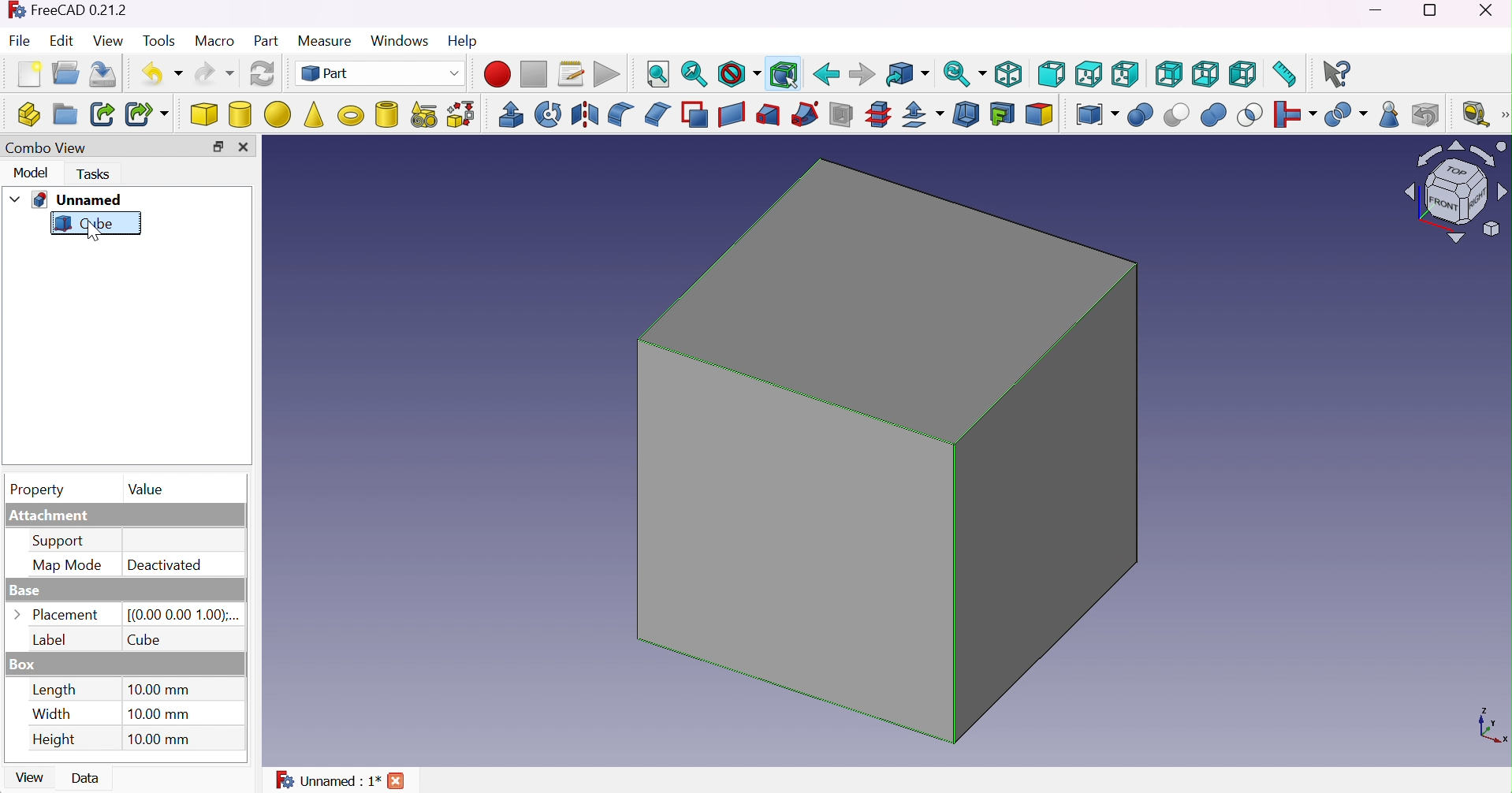 The height and width of the screenshot is (793, 1512). What do you see at coordinates (266, 43) in the screenshot?
I see `Part` at bounding box center [266, 43].